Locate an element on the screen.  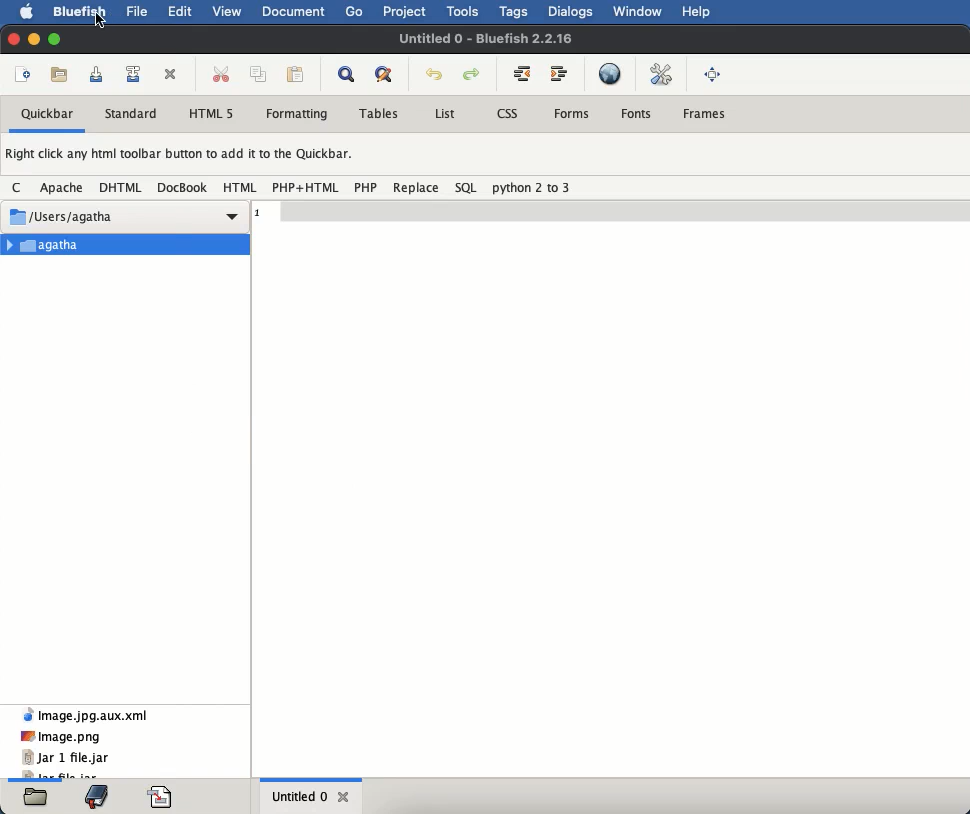
users Agatha is located at coordinates (123, 212).